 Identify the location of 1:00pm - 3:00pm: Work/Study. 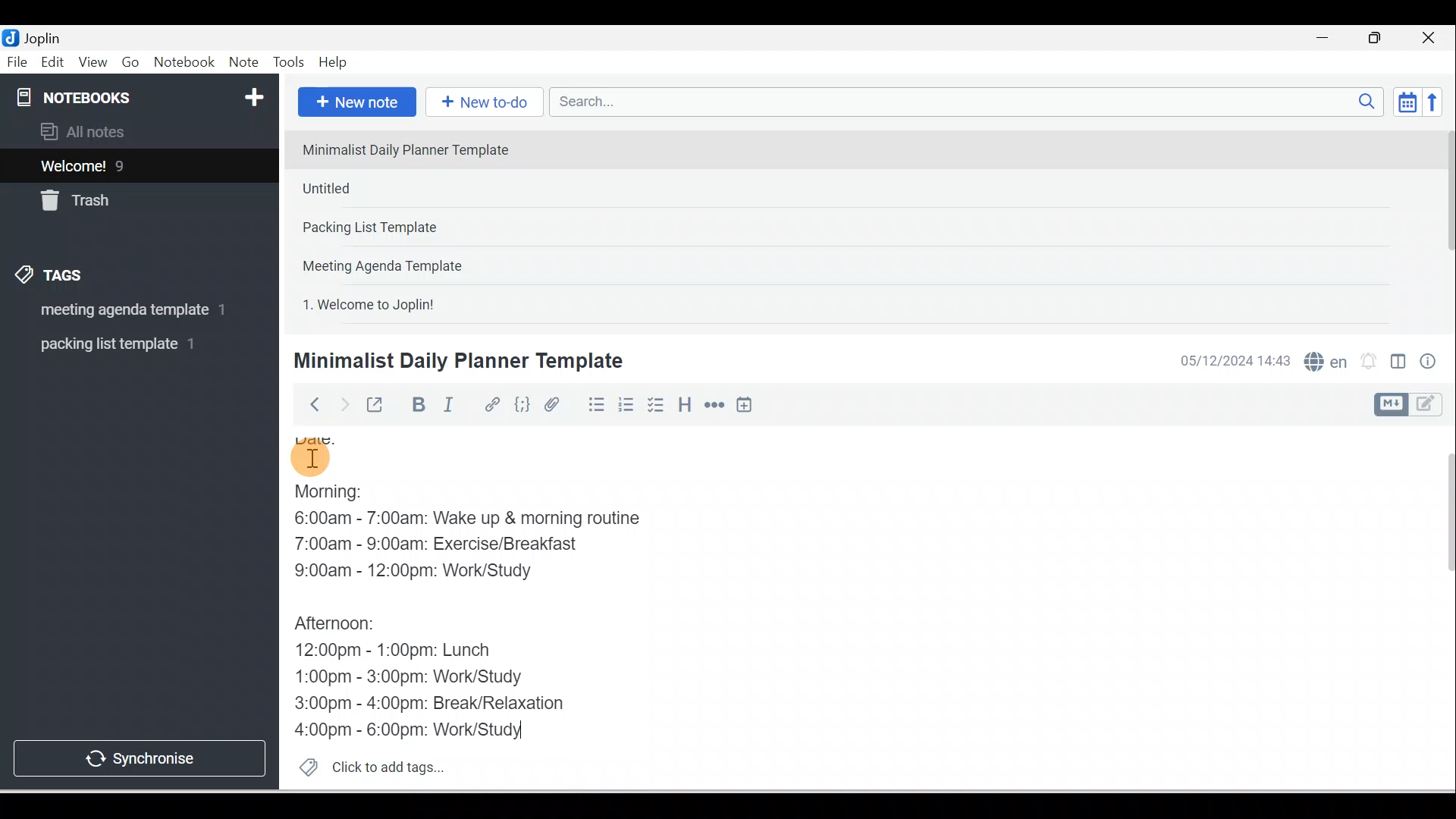
(409, 677).